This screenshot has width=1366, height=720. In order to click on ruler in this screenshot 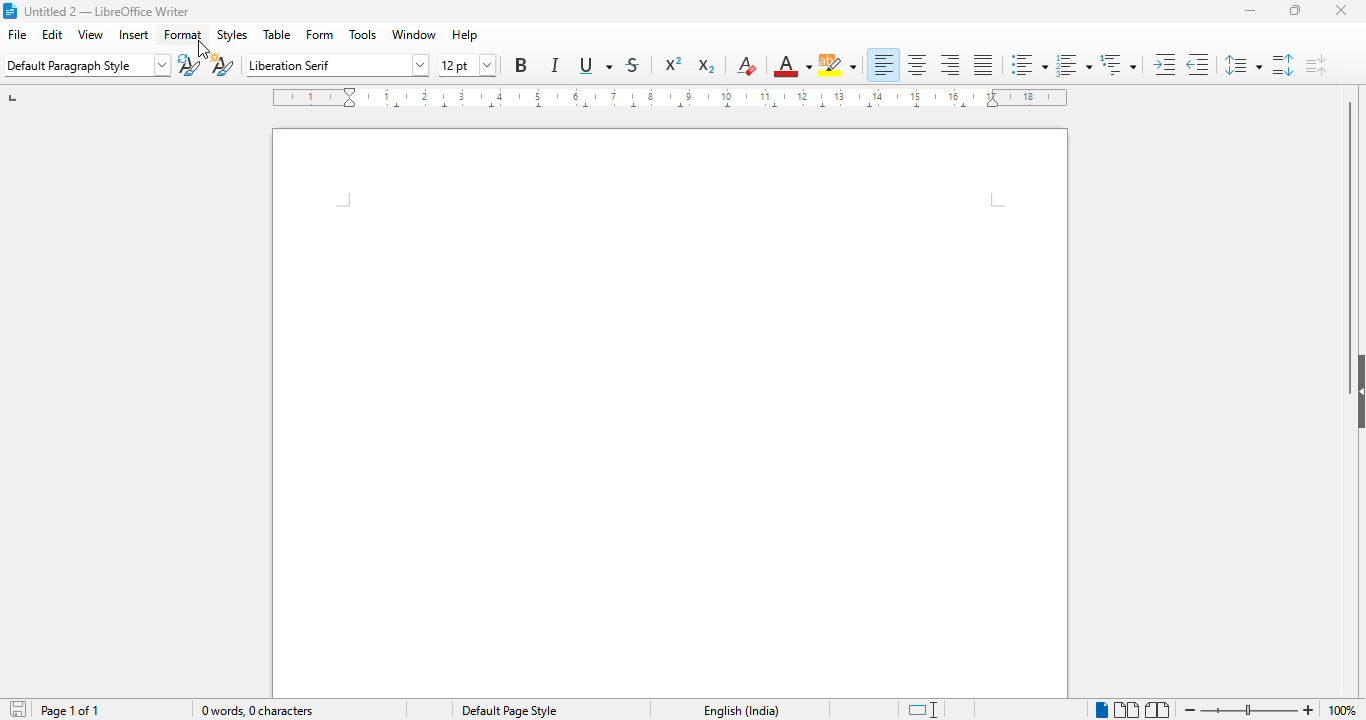, I will do `click(670, 98)`.